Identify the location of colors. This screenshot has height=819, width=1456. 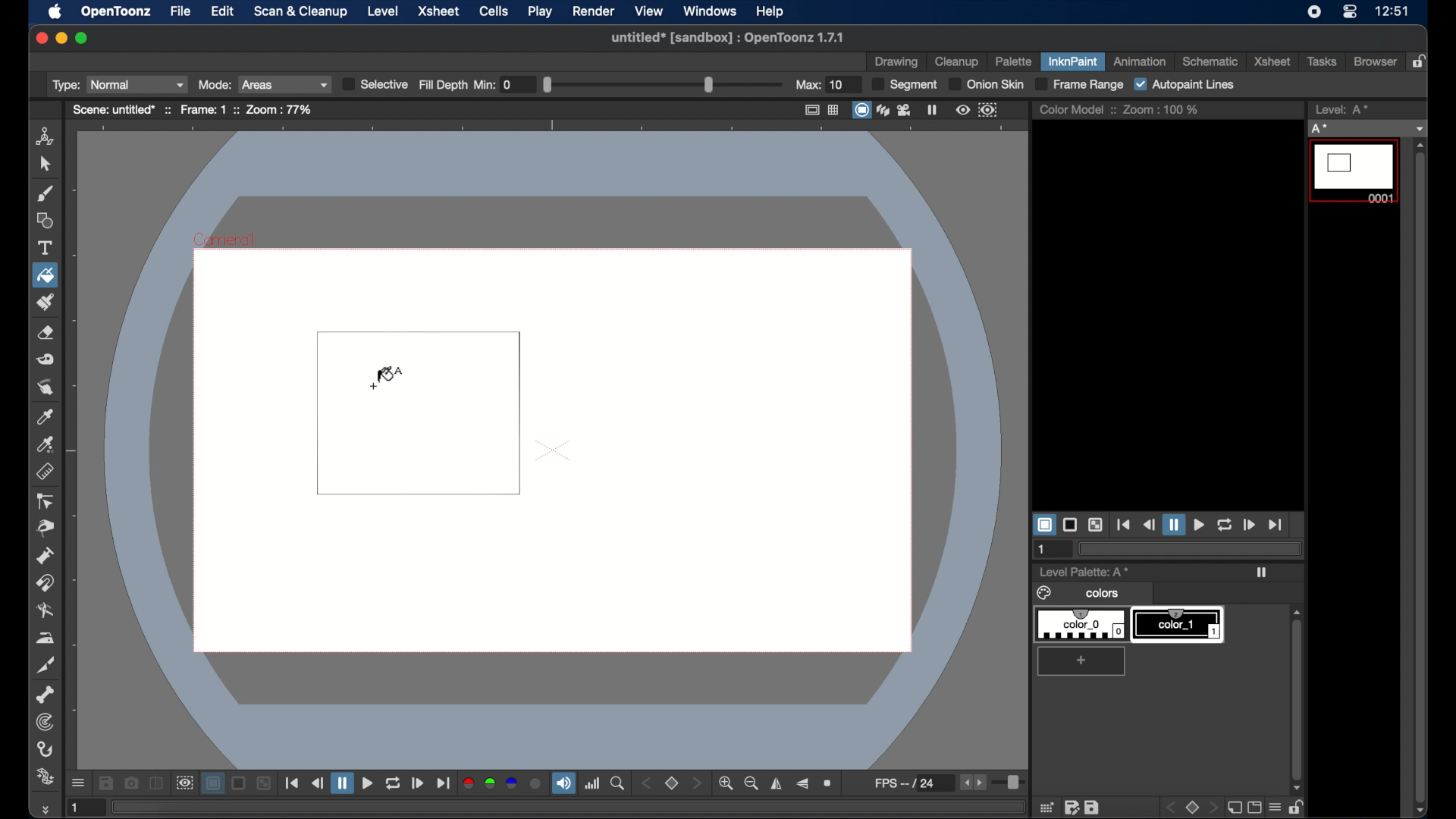
(1080, 594).